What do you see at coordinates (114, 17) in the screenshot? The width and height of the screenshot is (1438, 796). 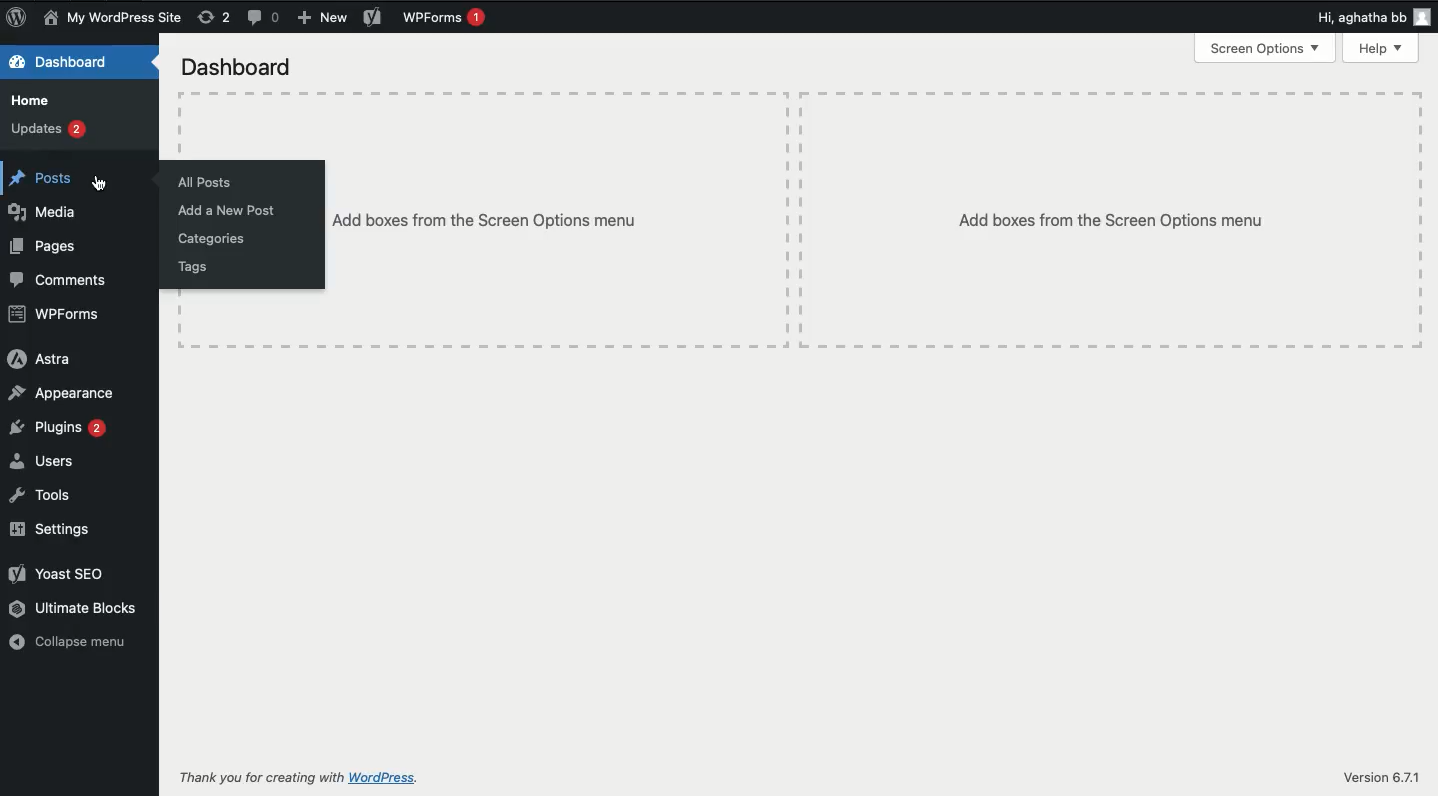 I see `Name` at bounding box center [114, 17].